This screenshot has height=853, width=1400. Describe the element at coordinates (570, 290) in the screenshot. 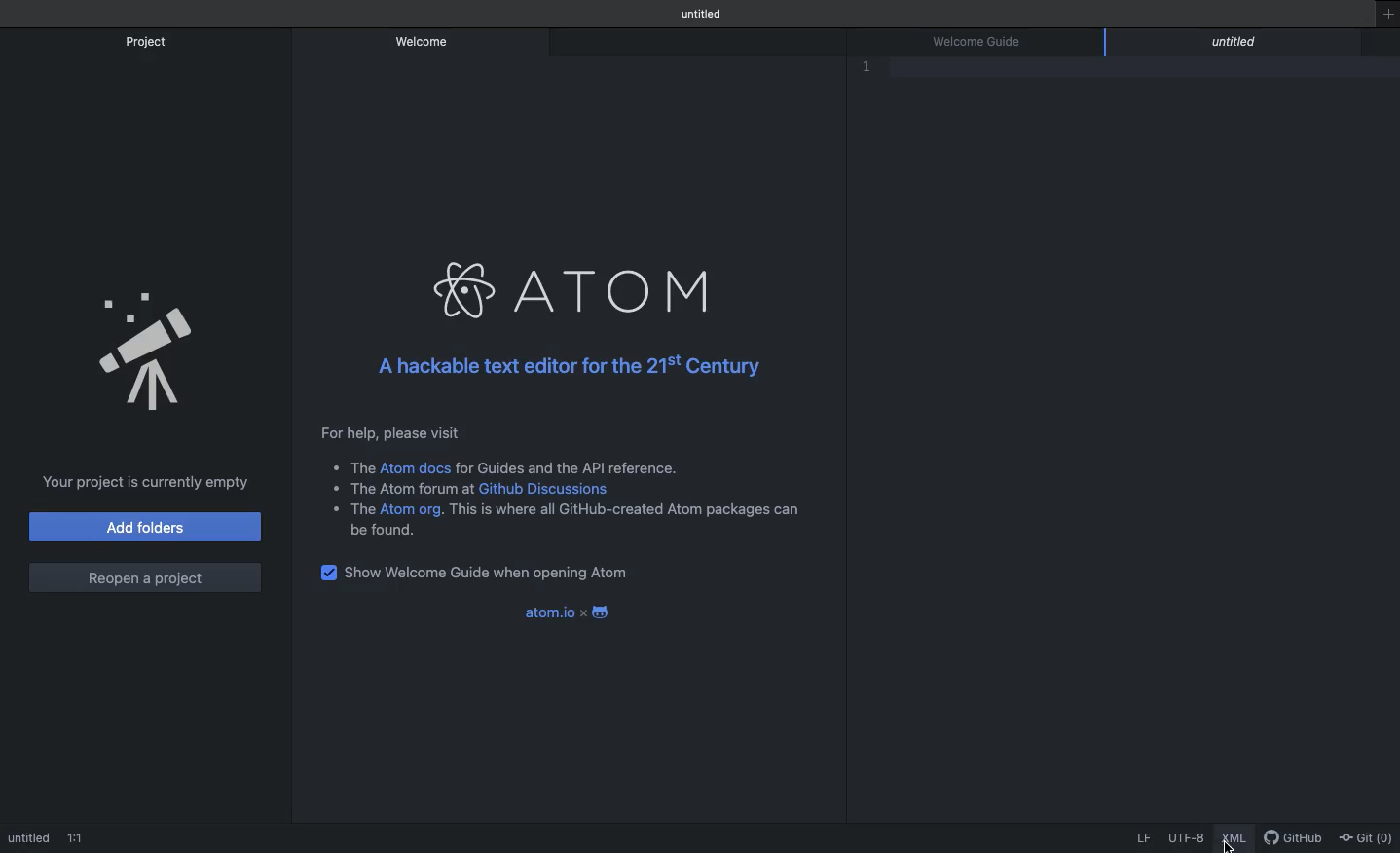

I see `Atom` at that location.